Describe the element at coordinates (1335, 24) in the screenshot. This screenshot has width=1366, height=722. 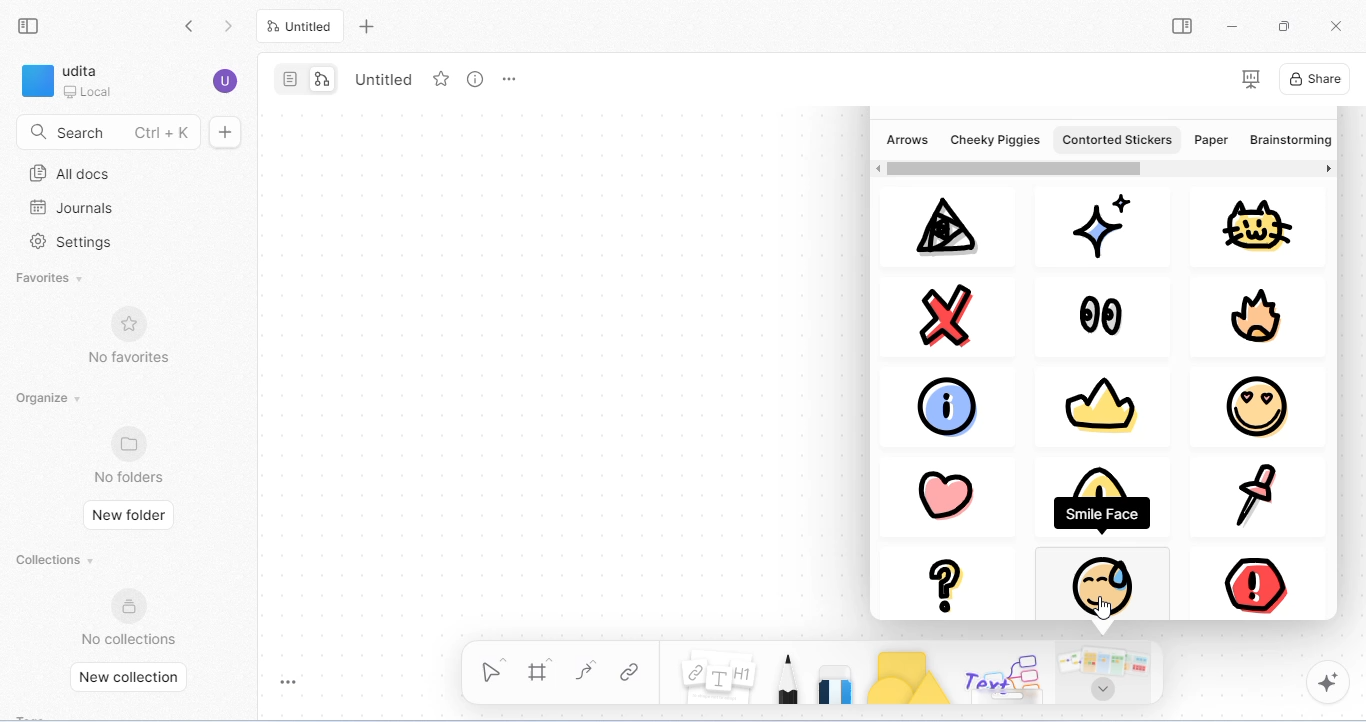
I see `close` at that location.